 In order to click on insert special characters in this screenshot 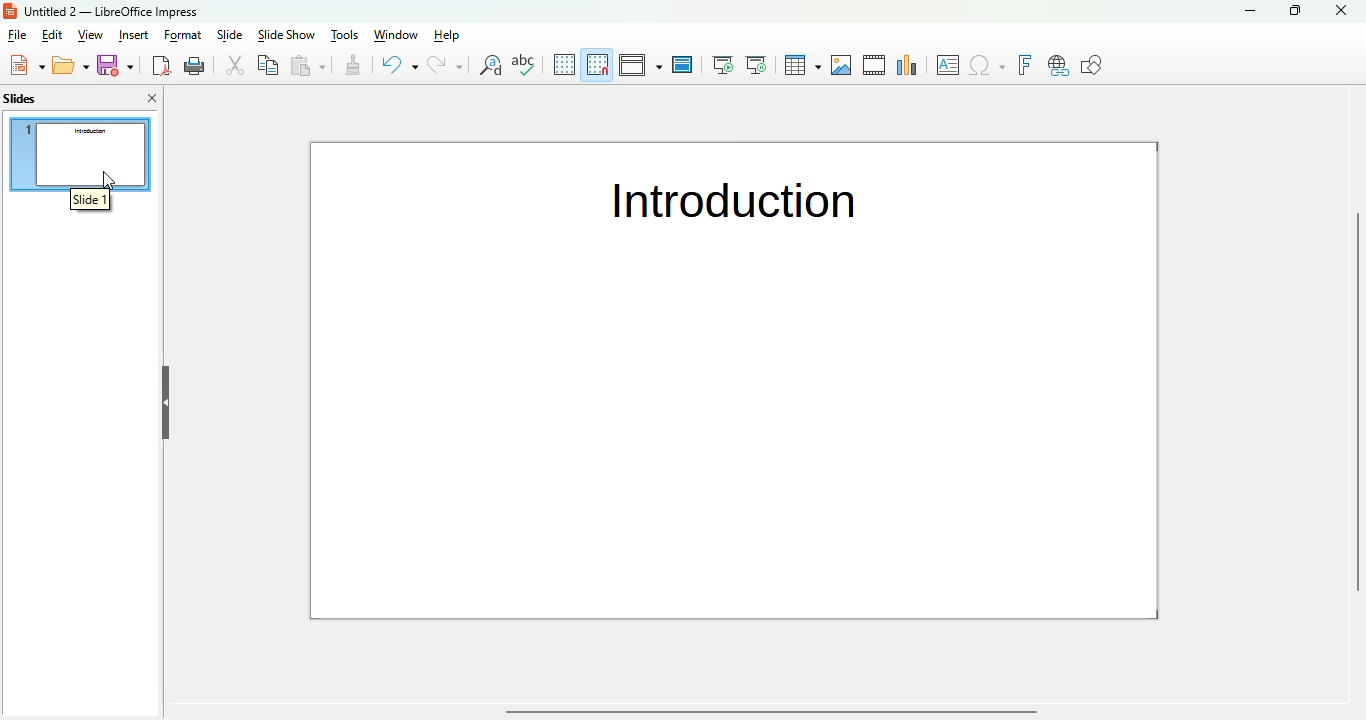, I will do `click(987, 65)`.